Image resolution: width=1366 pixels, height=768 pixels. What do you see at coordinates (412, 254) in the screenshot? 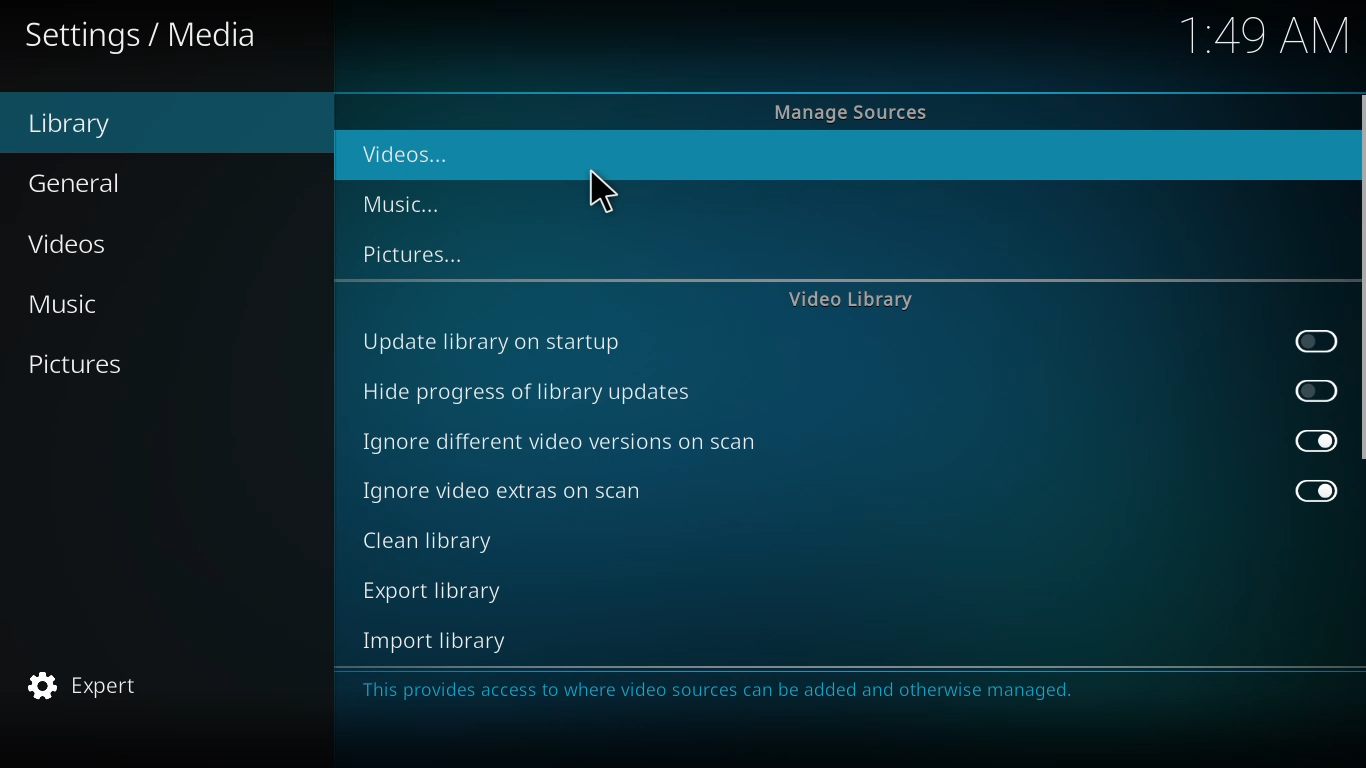
I see `pictures` at bounding box center [412, 254].